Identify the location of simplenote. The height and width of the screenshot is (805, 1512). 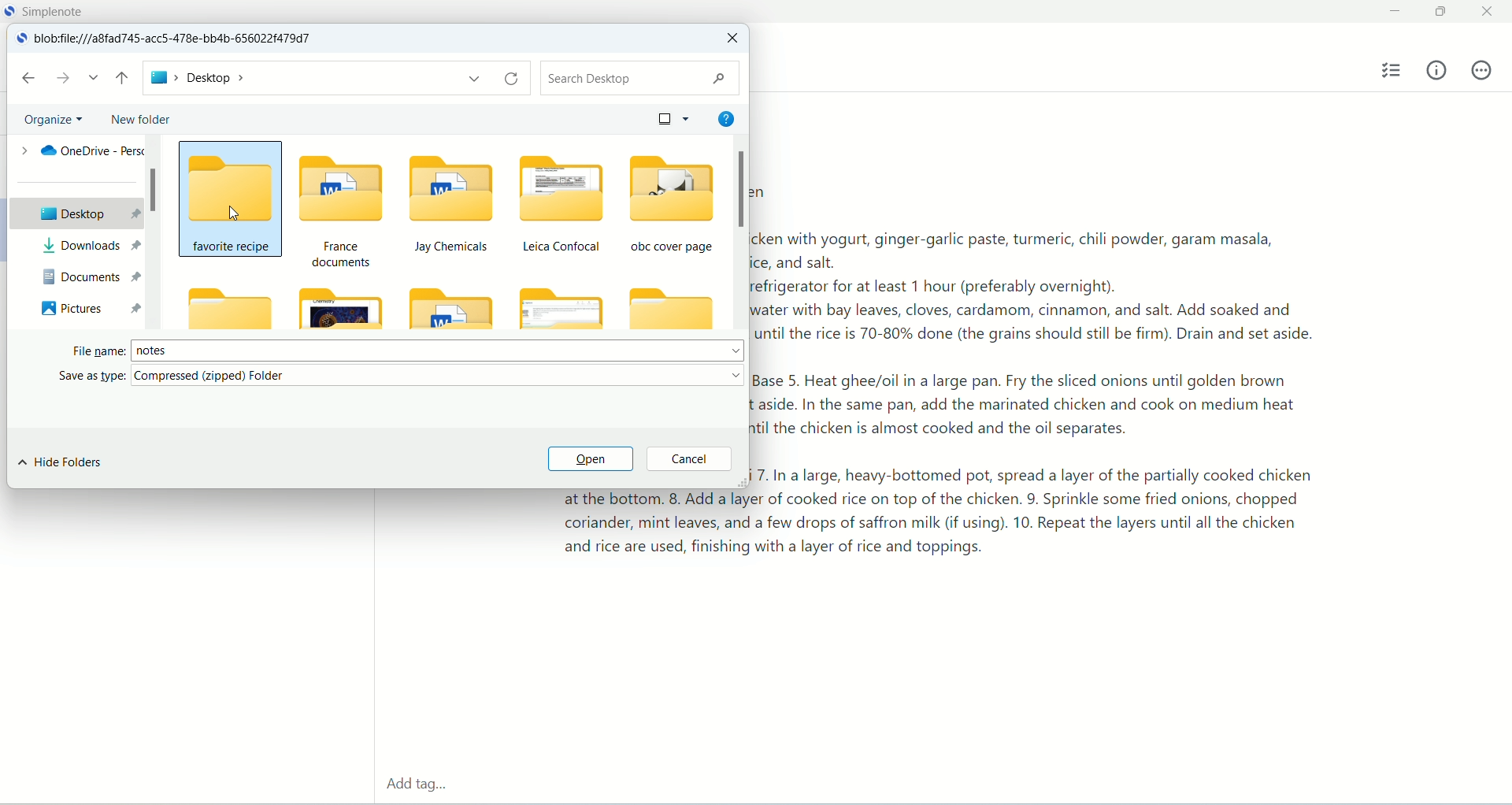
(62, 11).